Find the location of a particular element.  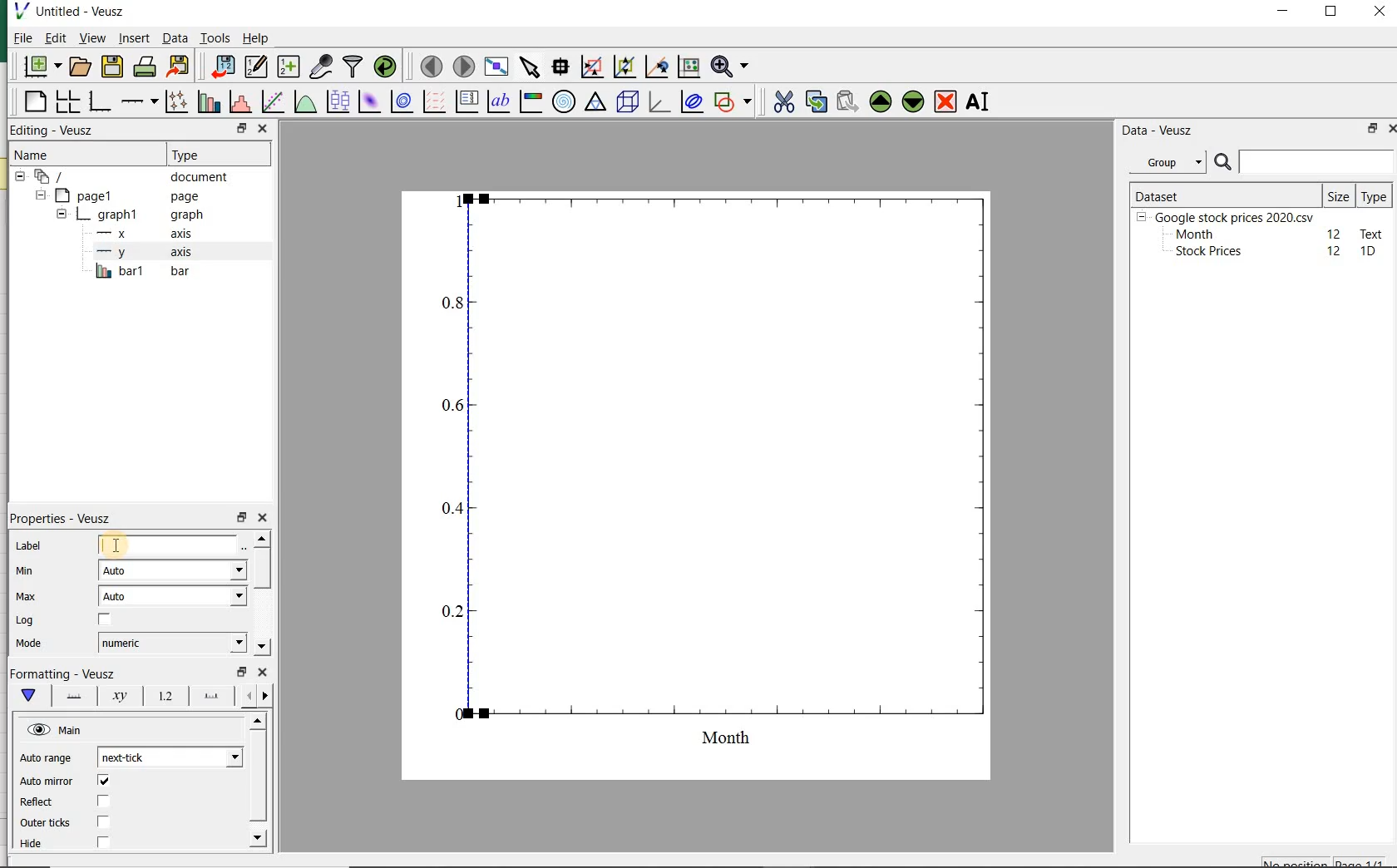

Help is located at coordinates (258, 40).